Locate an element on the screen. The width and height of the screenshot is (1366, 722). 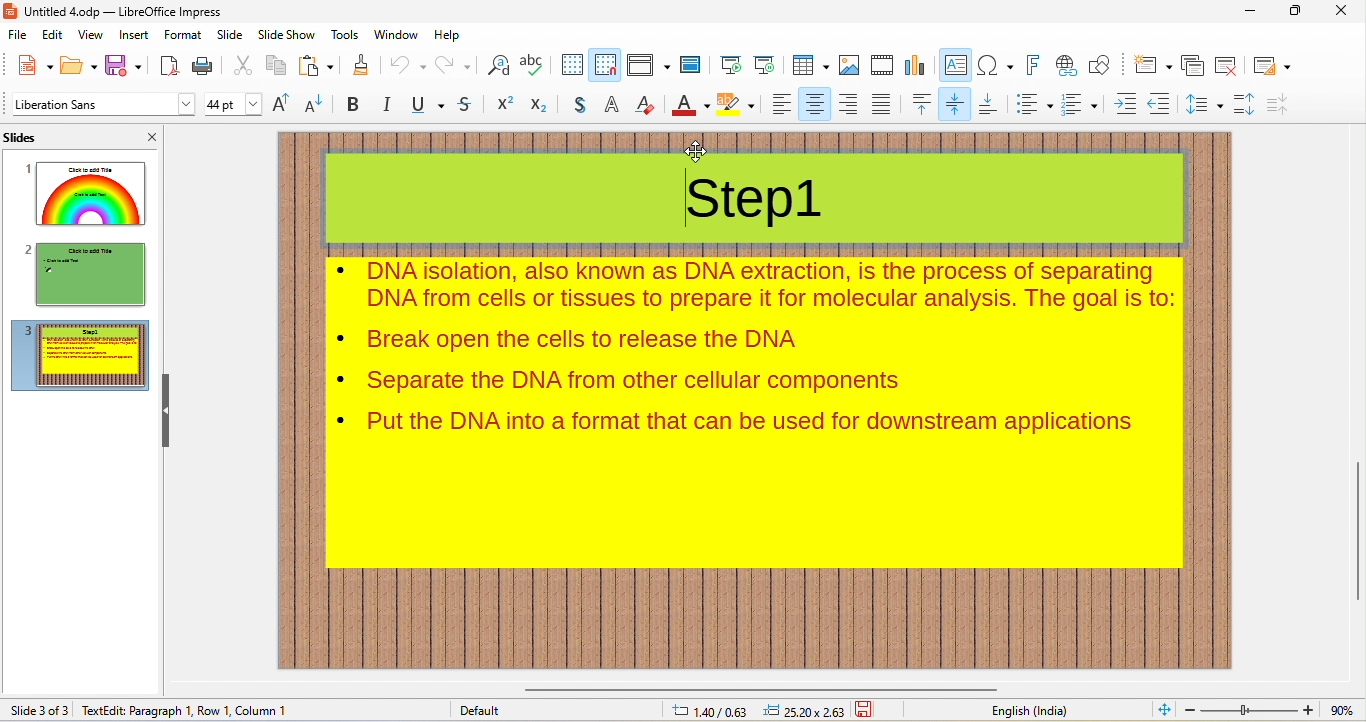
redo is located at coordinates (456, 65).